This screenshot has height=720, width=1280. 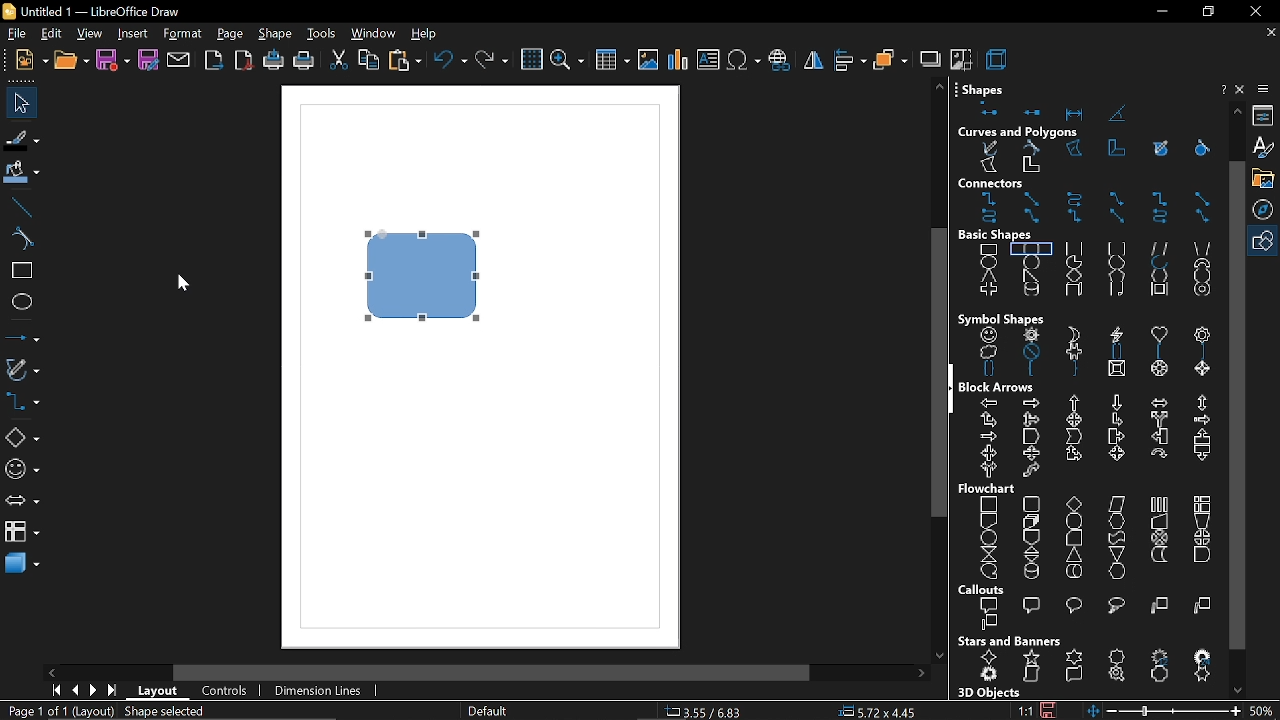 What do you see at coordinates (709, 711) in the screenshot?
I see `co-ordinate` at bounding box center [709, 711].